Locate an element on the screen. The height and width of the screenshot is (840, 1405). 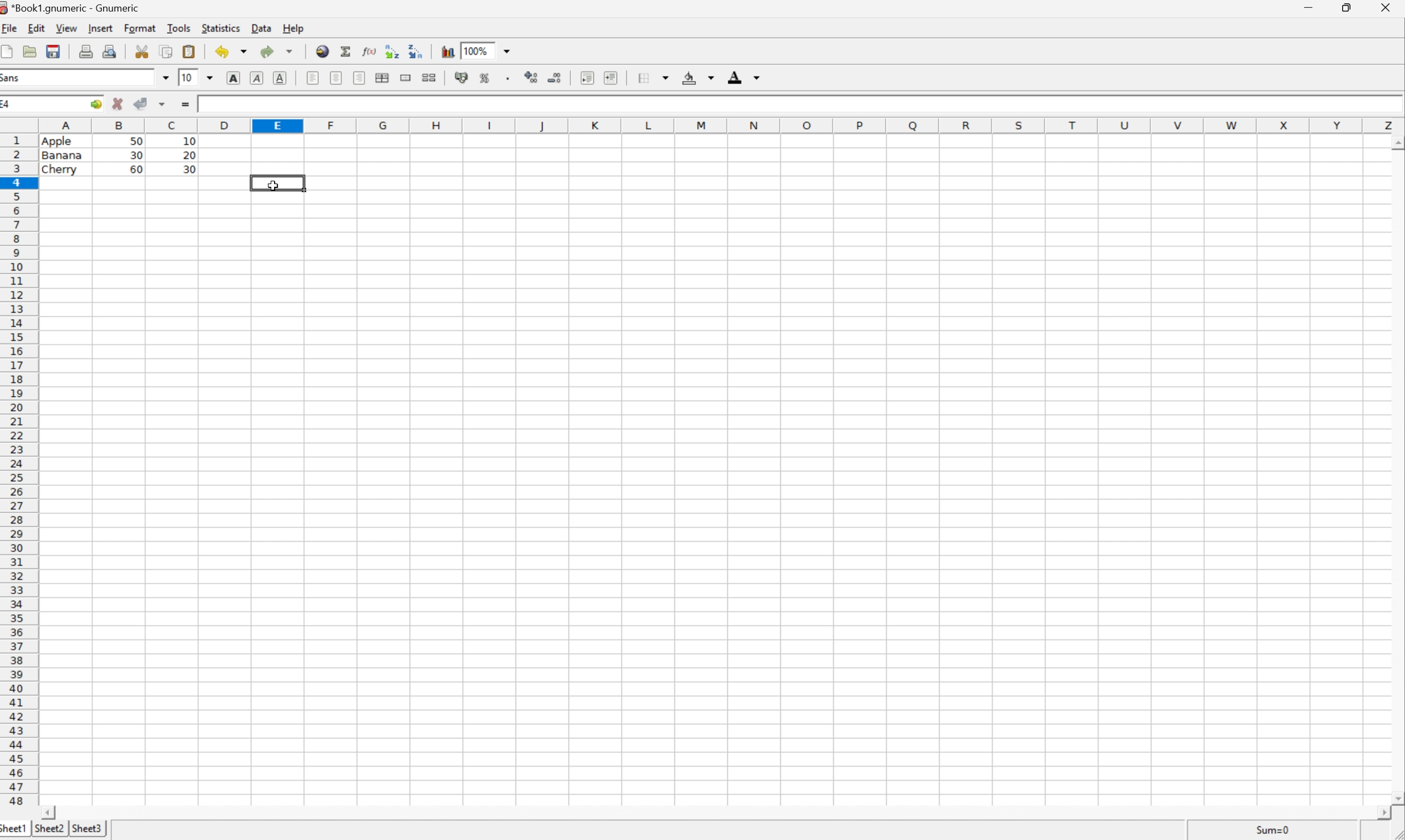
borders is located at coordinates (654, 78).